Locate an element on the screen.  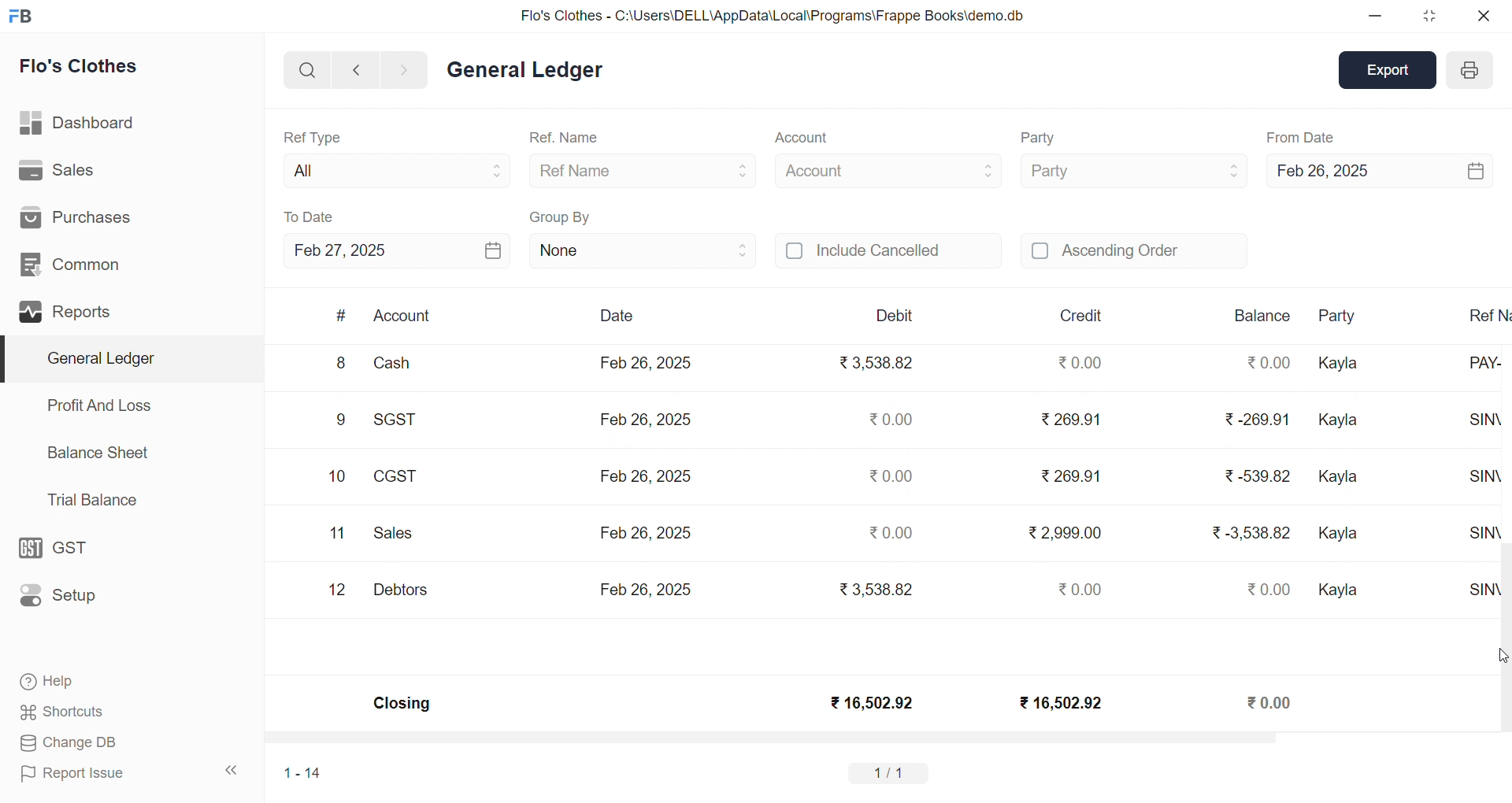
Shortcuts is located at coordinates (62, 709).